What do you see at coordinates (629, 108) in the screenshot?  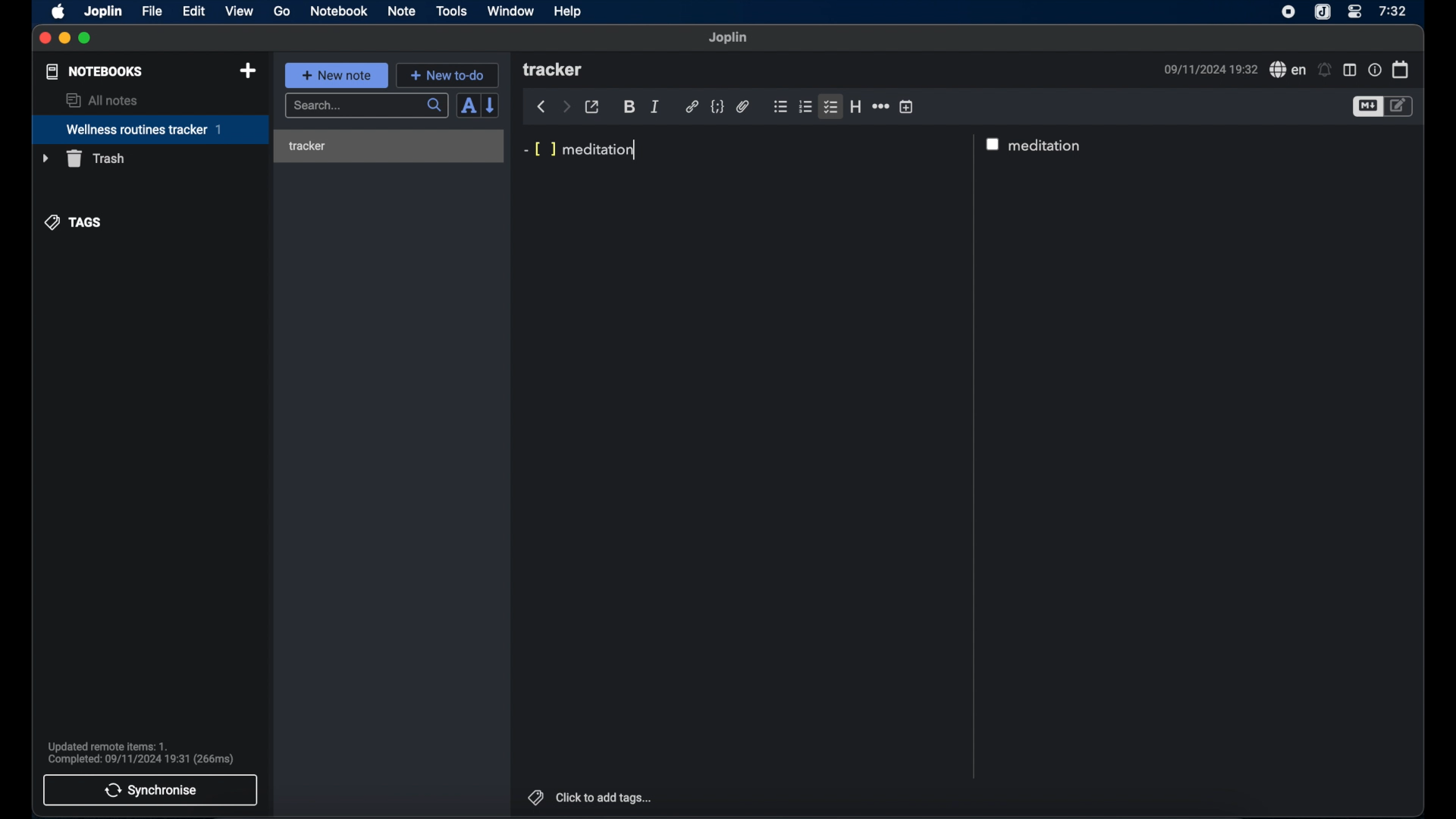 I see `bold` at bounding box center [629, 108].